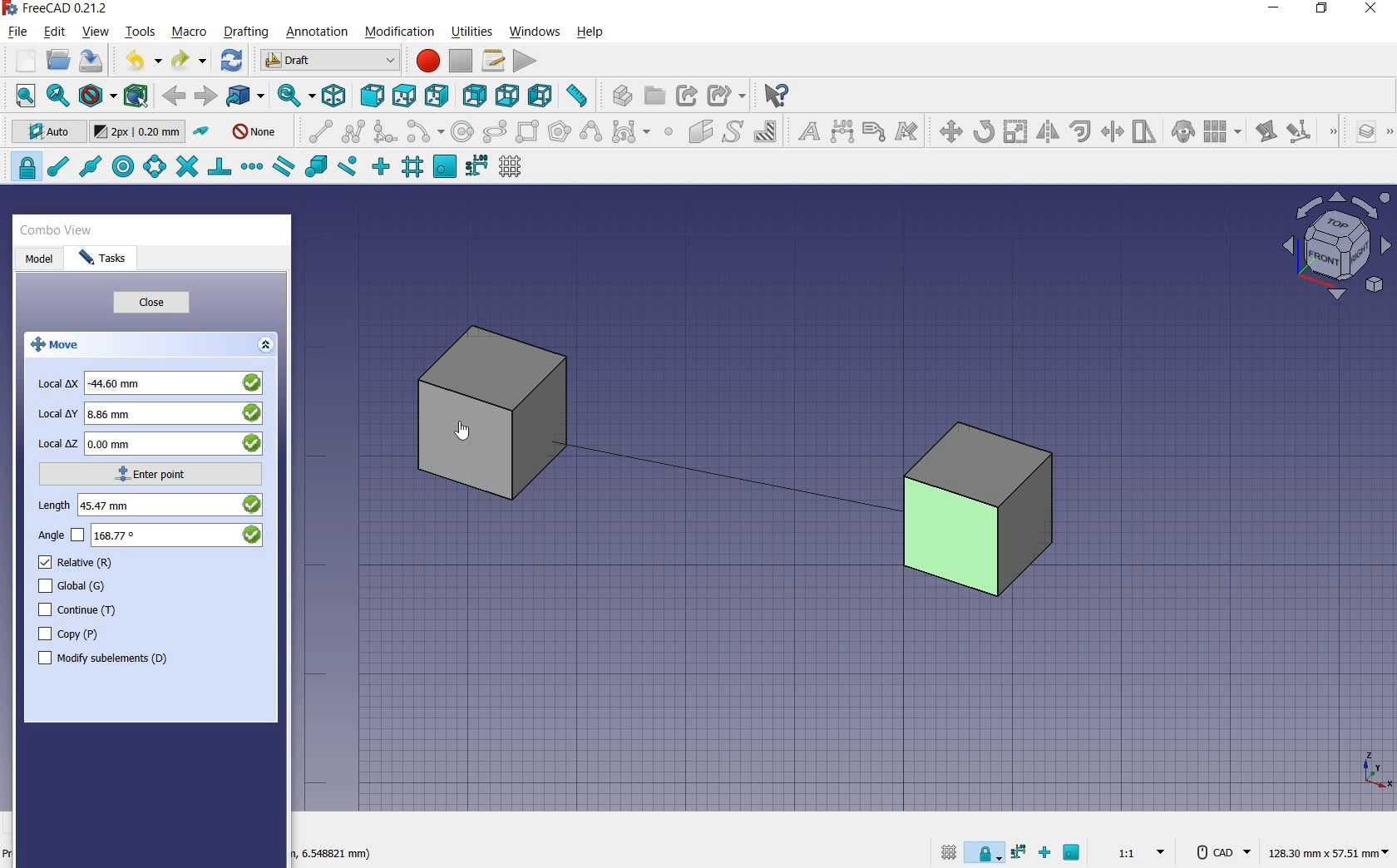  I want to click on rotate, so click(985, 131).